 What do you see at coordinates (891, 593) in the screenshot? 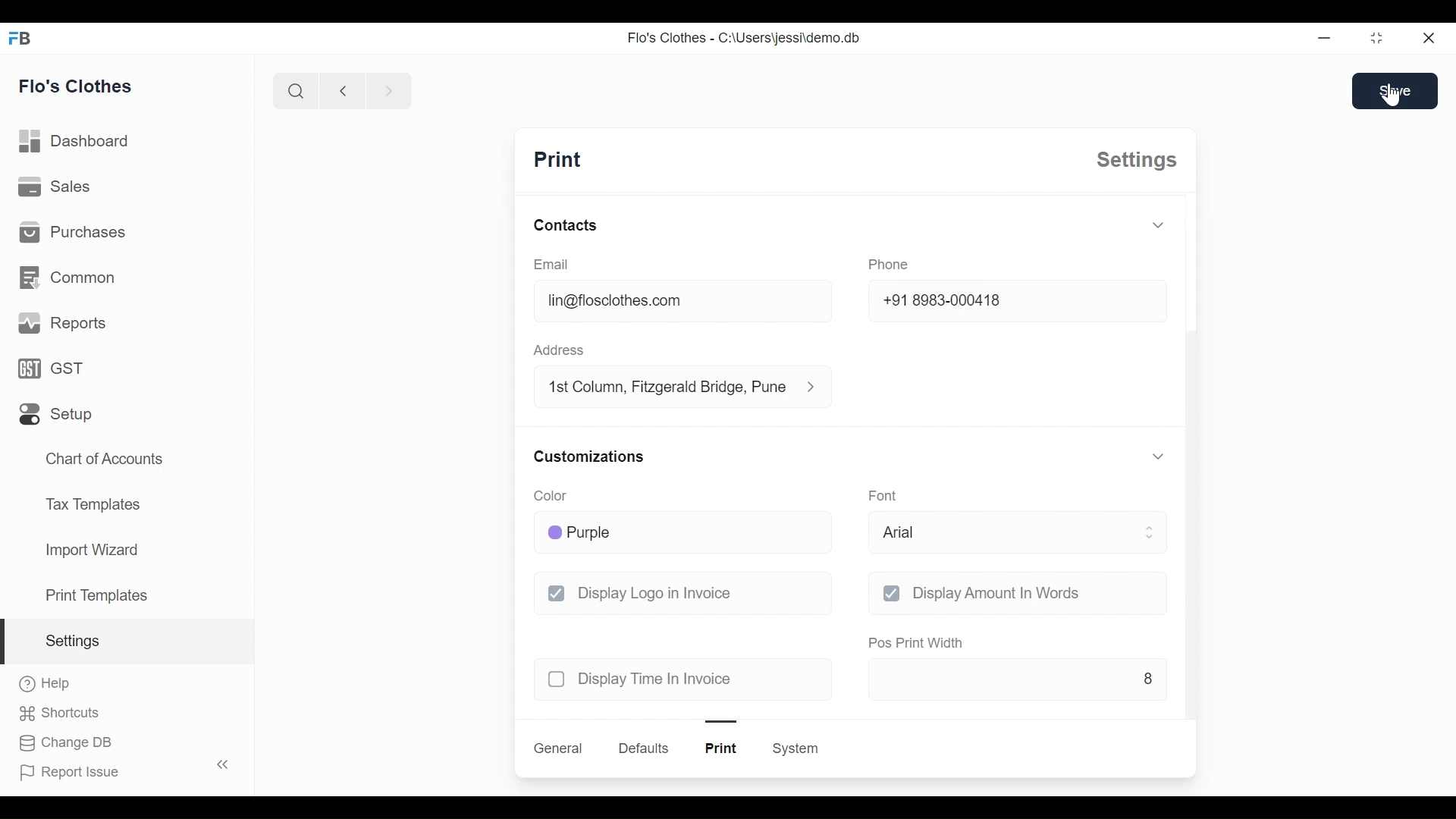
I see `checkbox` at bounding box center [891, 593].